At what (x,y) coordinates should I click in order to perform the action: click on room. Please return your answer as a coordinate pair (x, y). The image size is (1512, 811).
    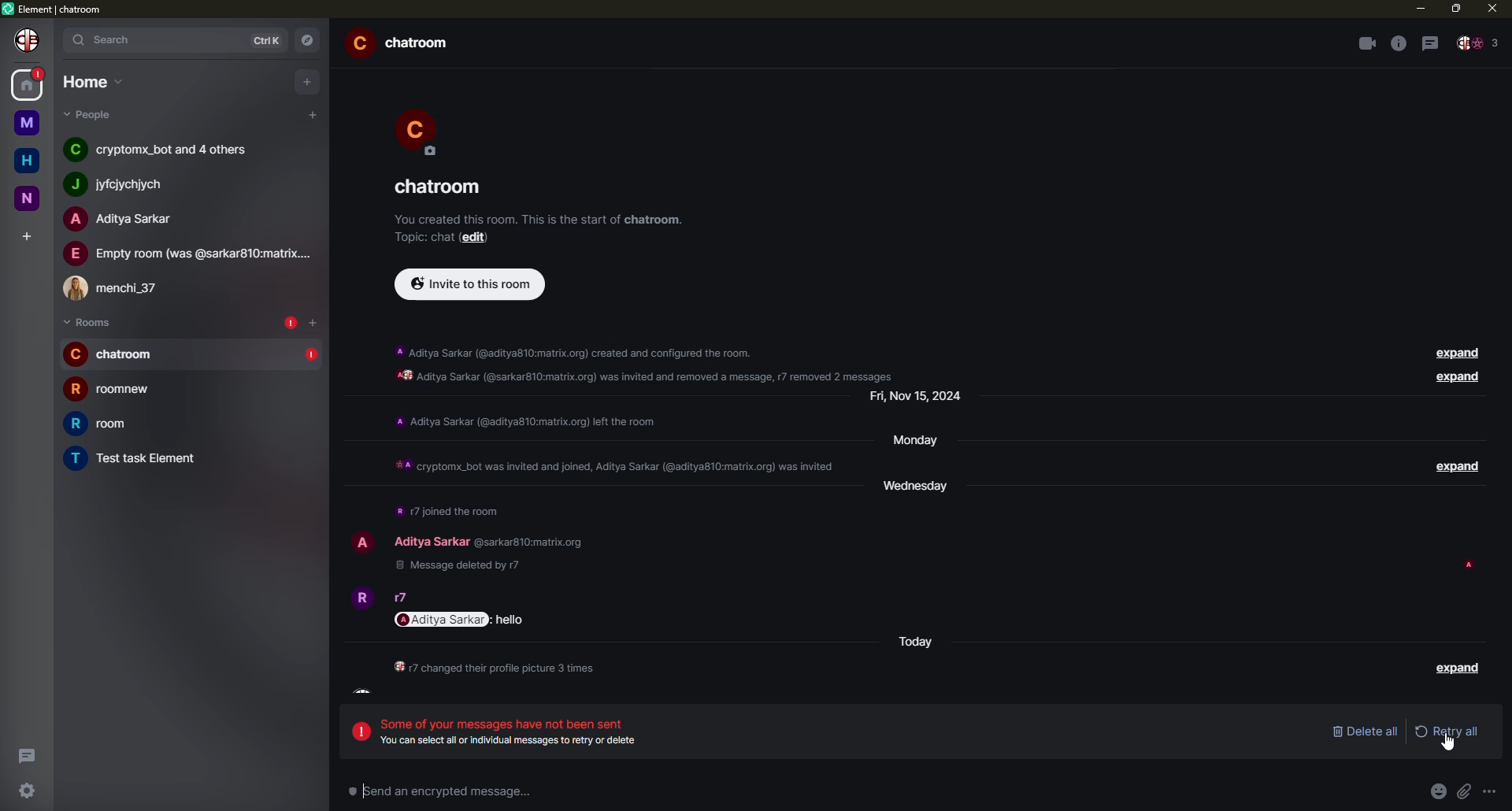
    Looking at the image, I should click on (403, 43).